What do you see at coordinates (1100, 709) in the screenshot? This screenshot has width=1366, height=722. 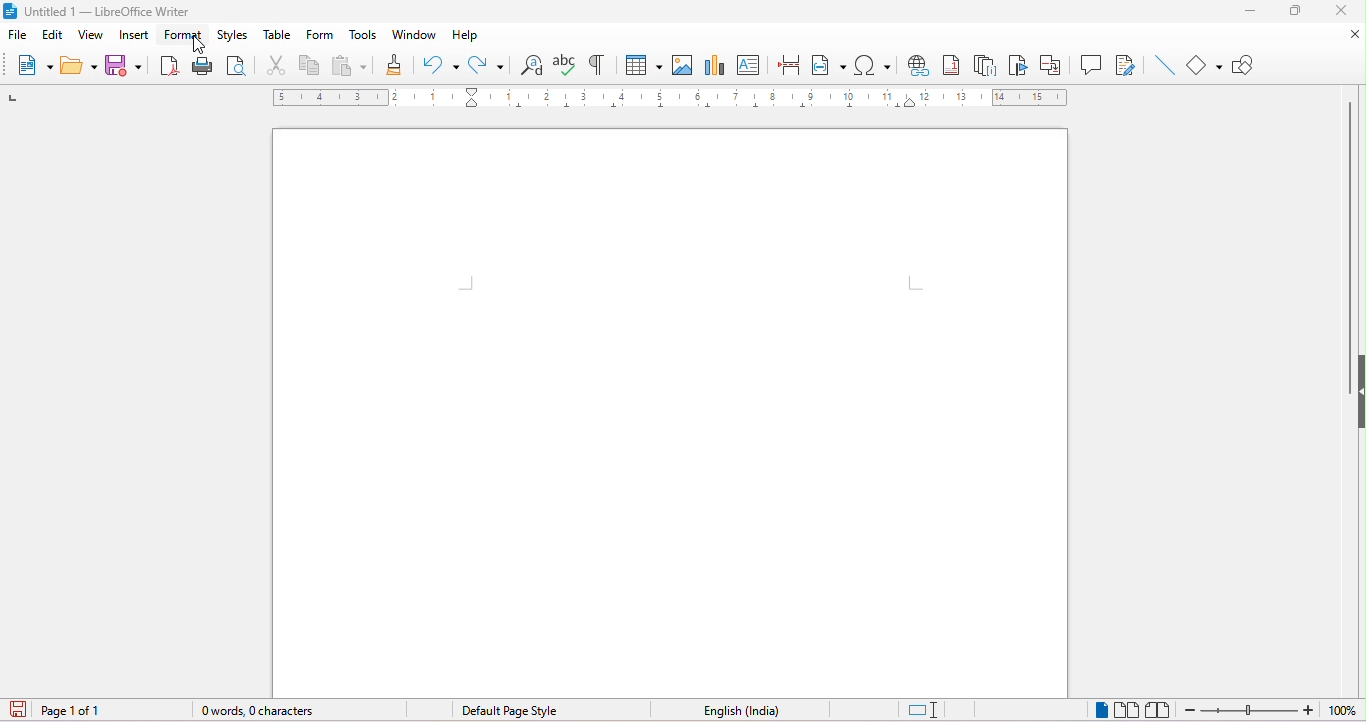 I see `single page view` at bounding box center [1100, 709].